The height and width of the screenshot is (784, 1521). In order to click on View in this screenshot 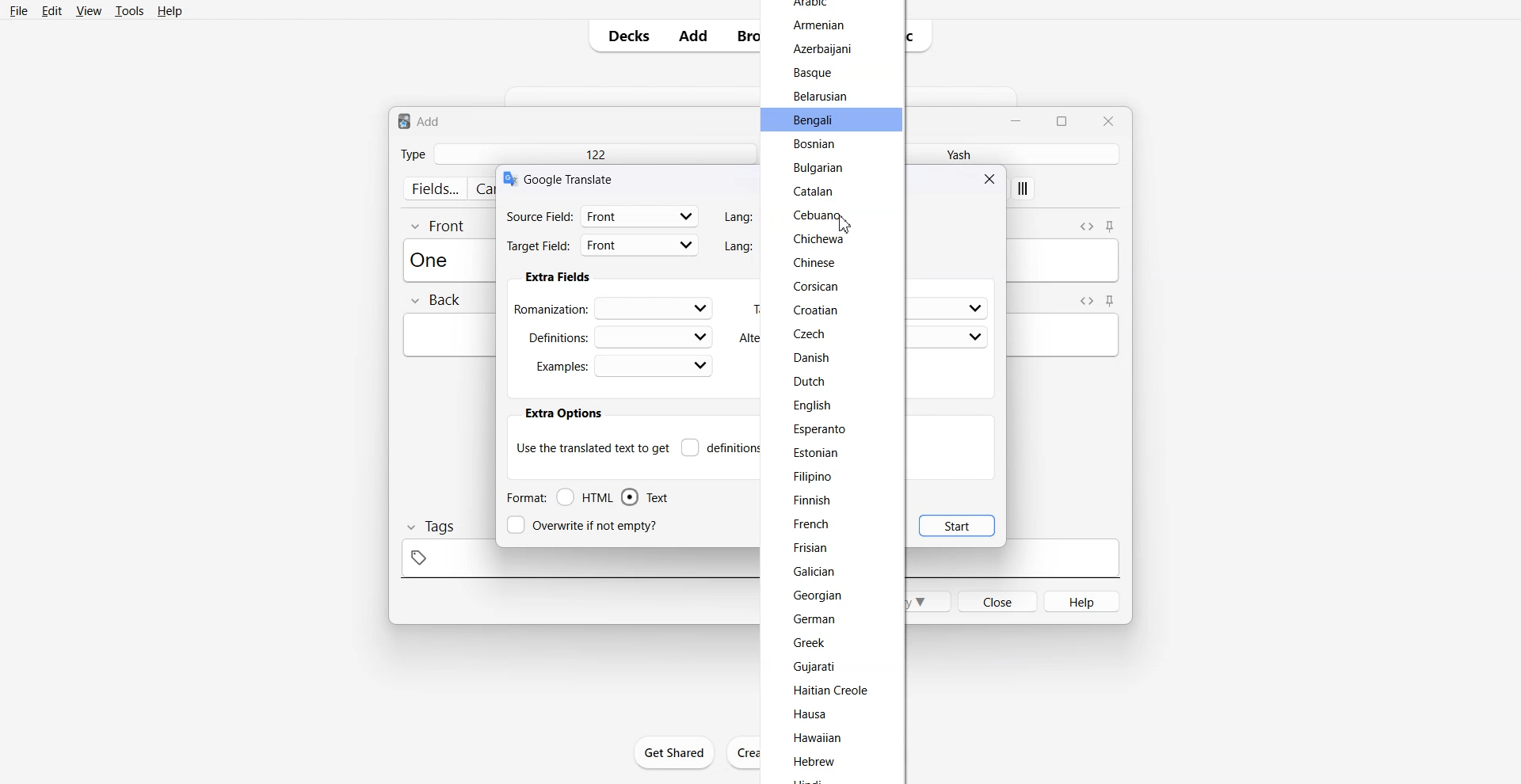, I will do `click(87, 10)`.